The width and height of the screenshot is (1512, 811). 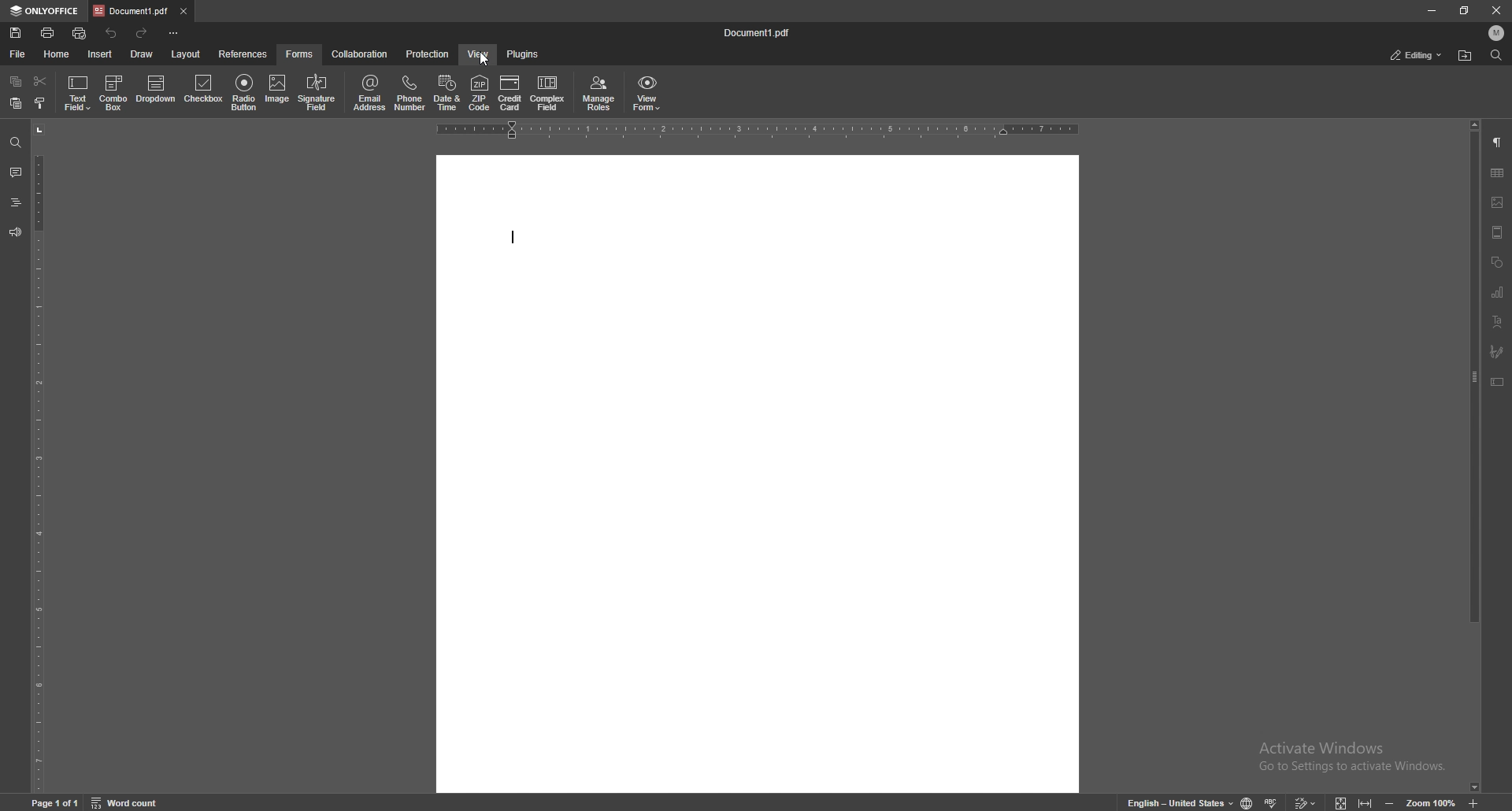 I want to click on track changes, so click(x=1304, y=800).